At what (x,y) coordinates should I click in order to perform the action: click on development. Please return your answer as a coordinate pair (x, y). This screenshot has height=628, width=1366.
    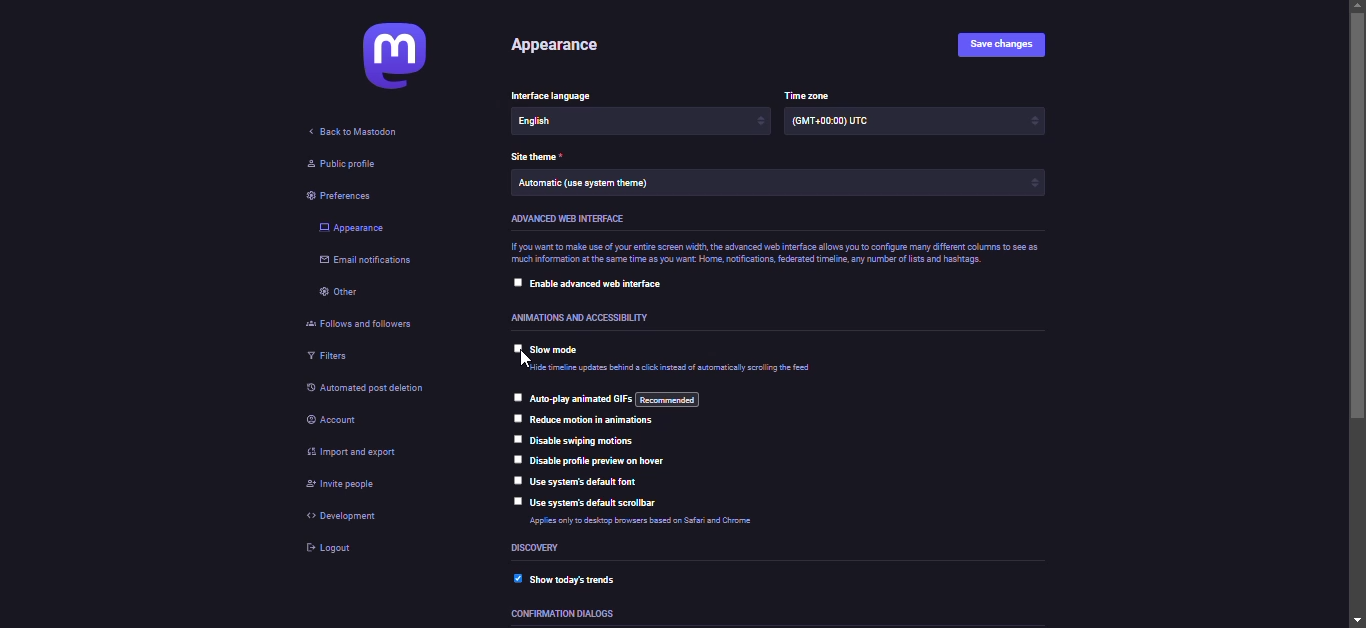
    Looking at the image, I should click on (345, 517).